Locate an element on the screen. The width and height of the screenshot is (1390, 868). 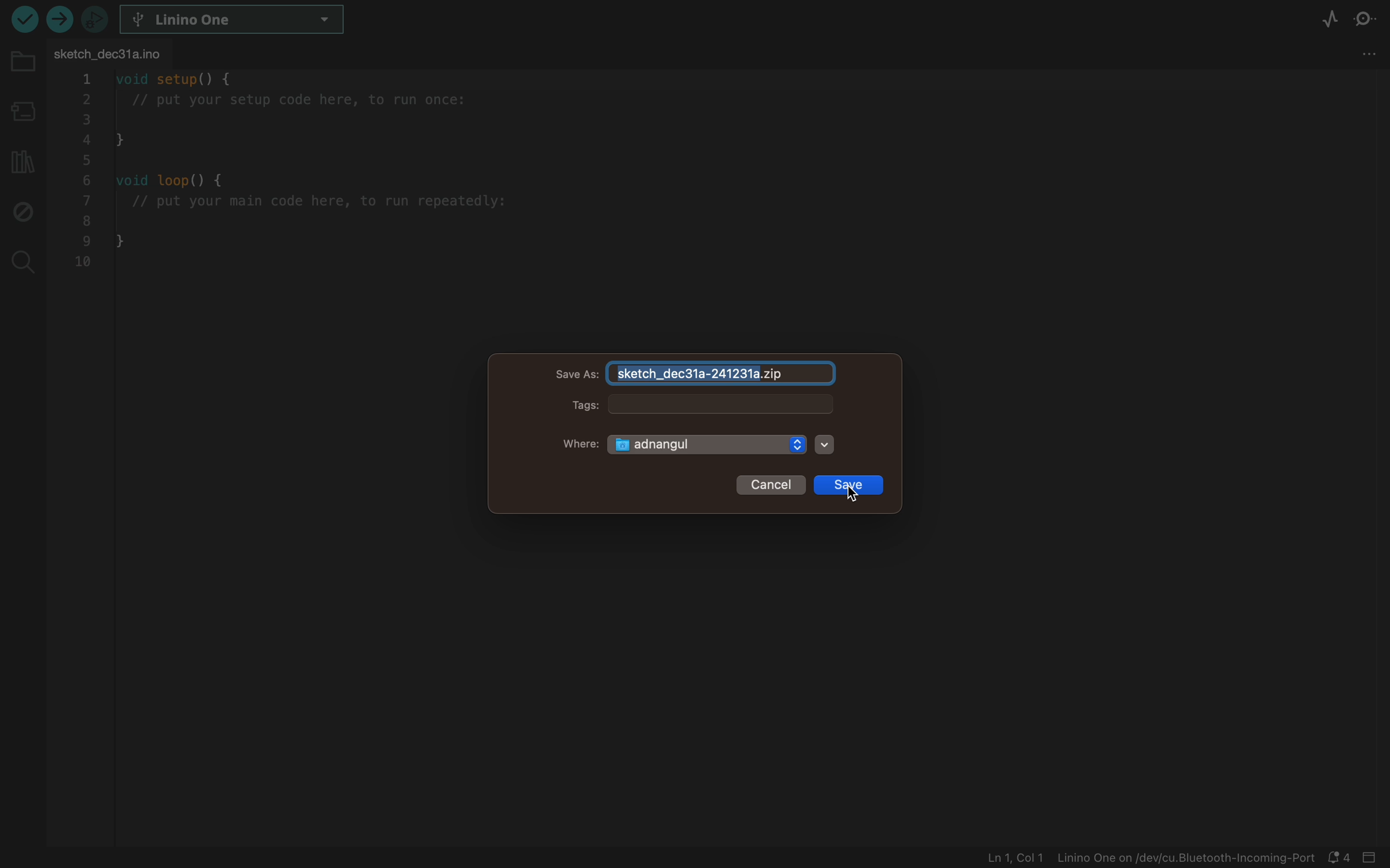
serial plotter is located at coordinates (1321, 25).